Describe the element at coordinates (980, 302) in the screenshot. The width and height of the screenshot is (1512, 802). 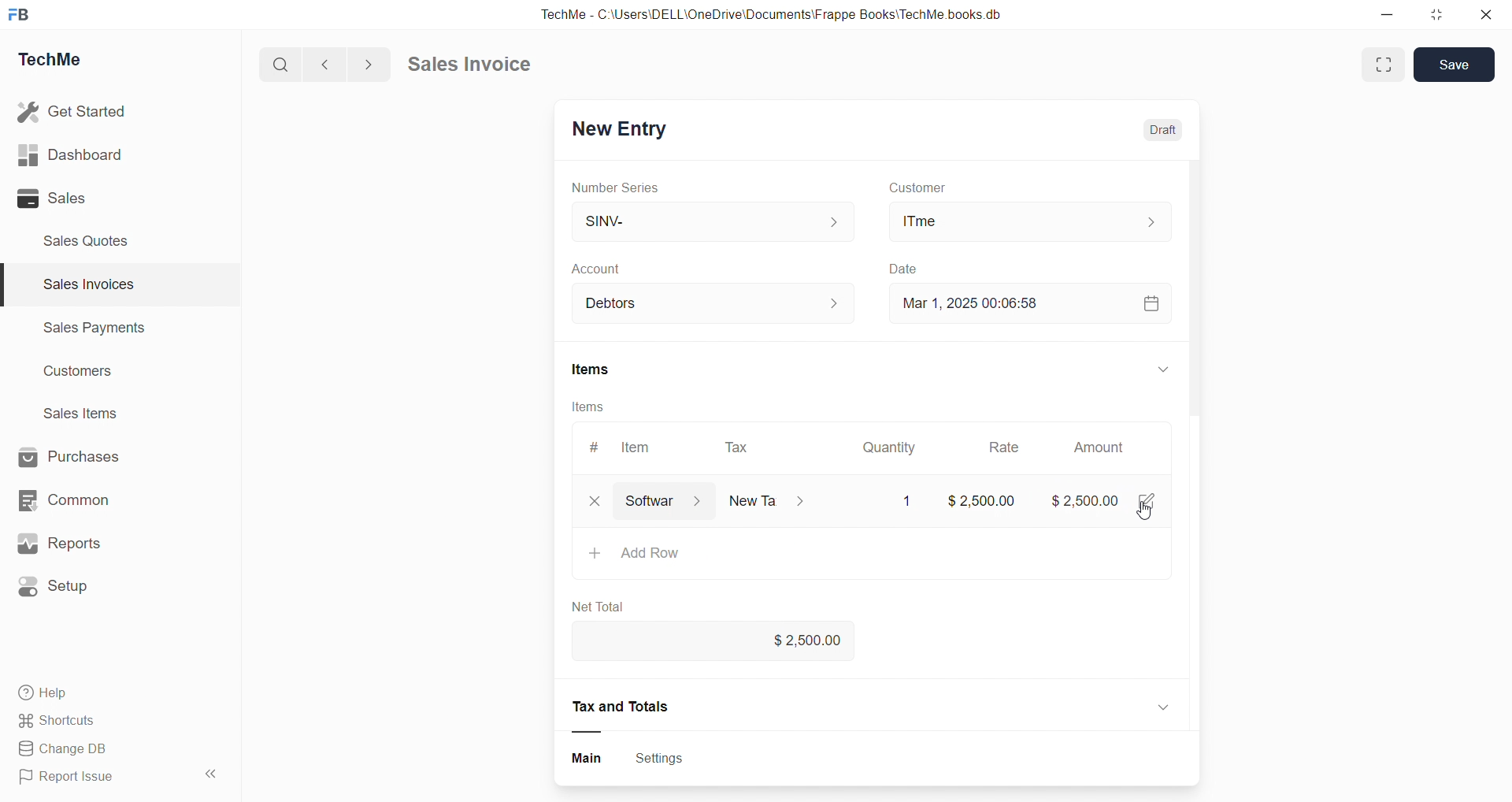
I see `Mar 1, 2025 00:06:58` at that location.